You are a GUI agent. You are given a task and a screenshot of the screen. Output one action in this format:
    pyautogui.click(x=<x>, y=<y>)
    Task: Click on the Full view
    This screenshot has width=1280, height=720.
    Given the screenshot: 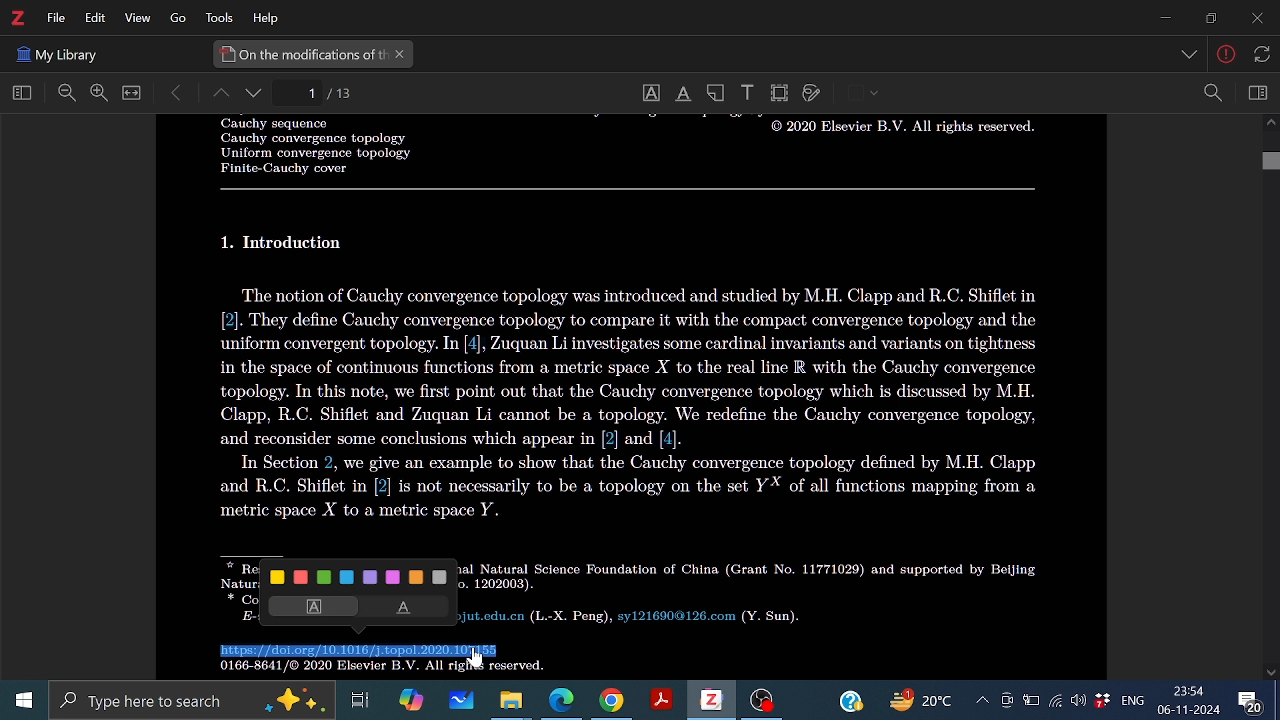 What is the action you would take?
    pyautogui.click(x=132, y=93)
    